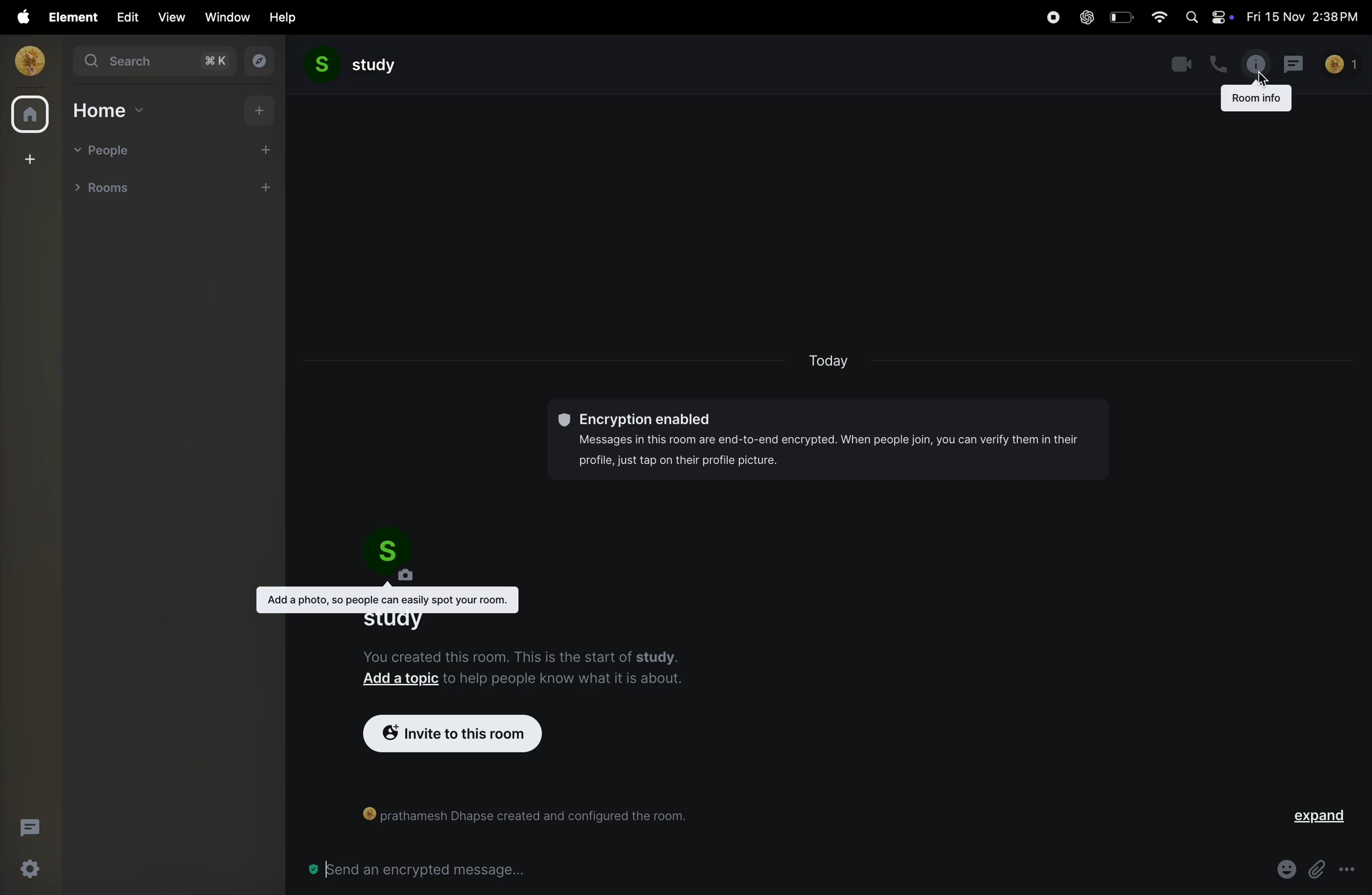 The width and height of the screenshot is (1372, 895). Describe the element at coordinates (1261, 77) in the screenshot. I see `cursor` at that location.